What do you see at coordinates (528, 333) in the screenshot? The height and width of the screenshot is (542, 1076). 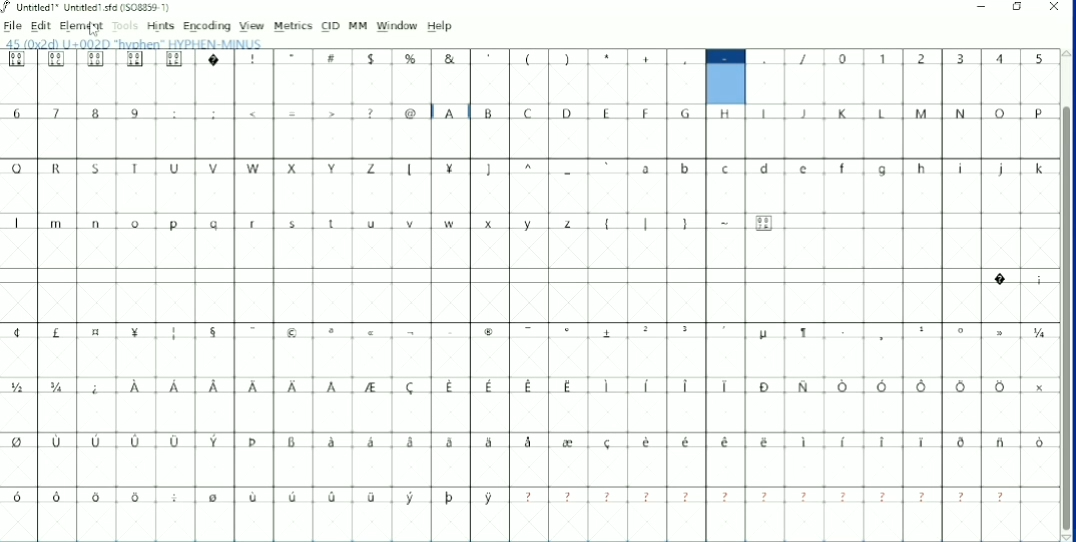 I see `Symbols` at bounding box center [528, 333].